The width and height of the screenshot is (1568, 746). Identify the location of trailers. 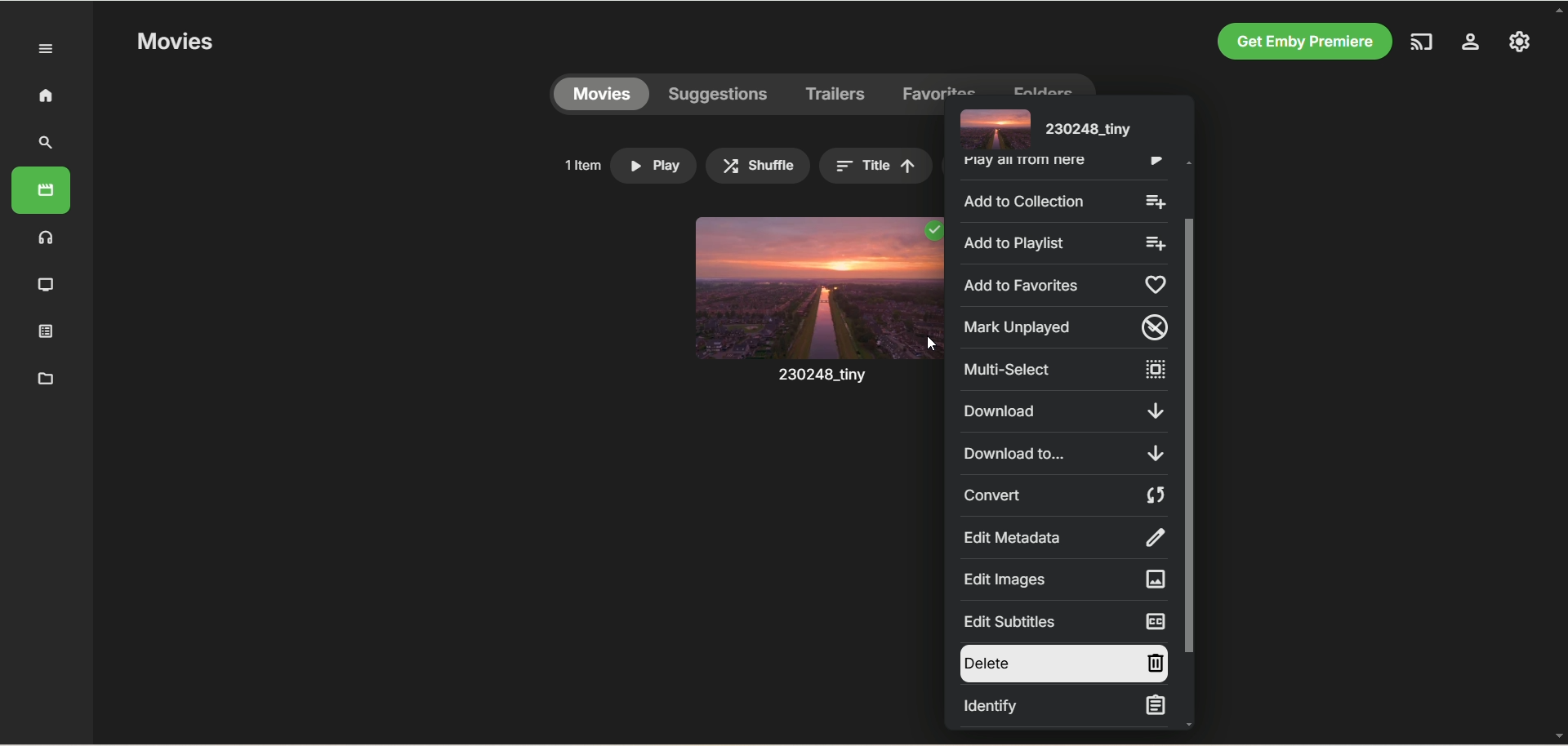
(836, 95).